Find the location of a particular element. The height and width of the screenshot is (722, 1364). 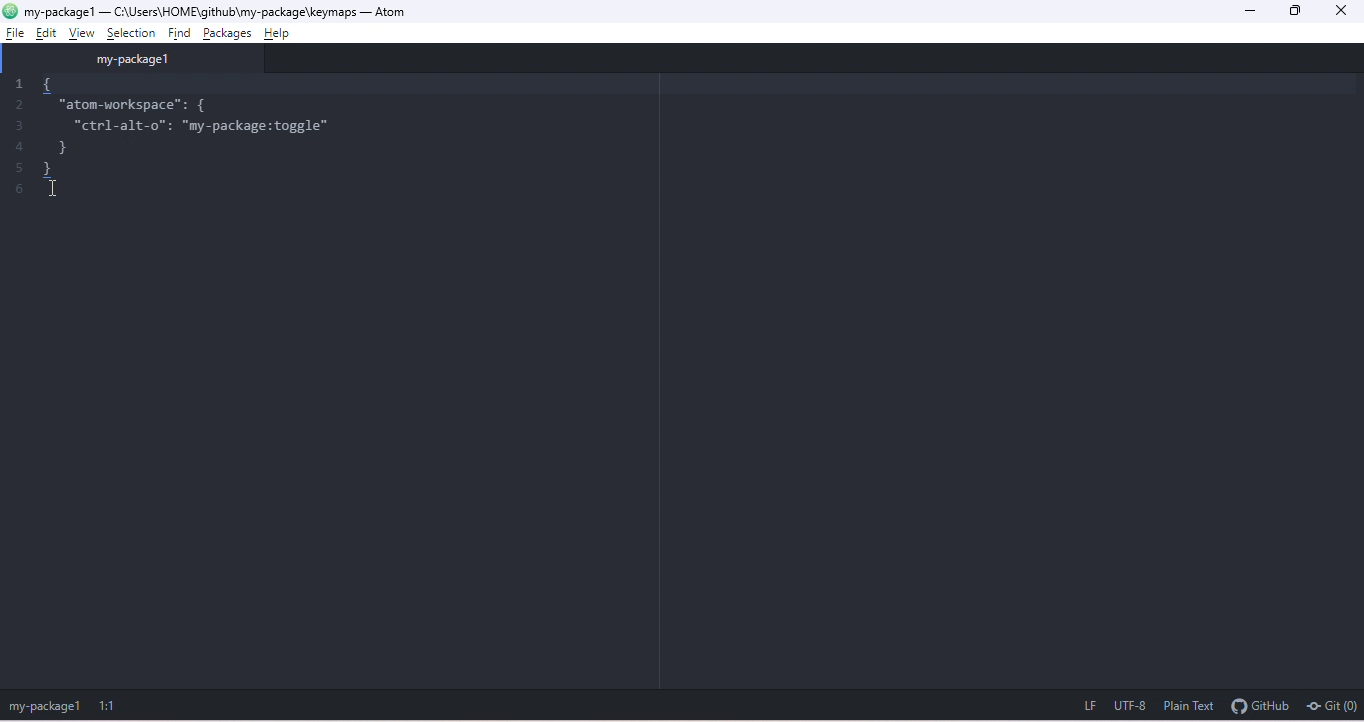

a
“aton-workspace”: {
“ctrl-alt-o": "my-package: toggle”
}
1
I is located at coordinates (166, 150).